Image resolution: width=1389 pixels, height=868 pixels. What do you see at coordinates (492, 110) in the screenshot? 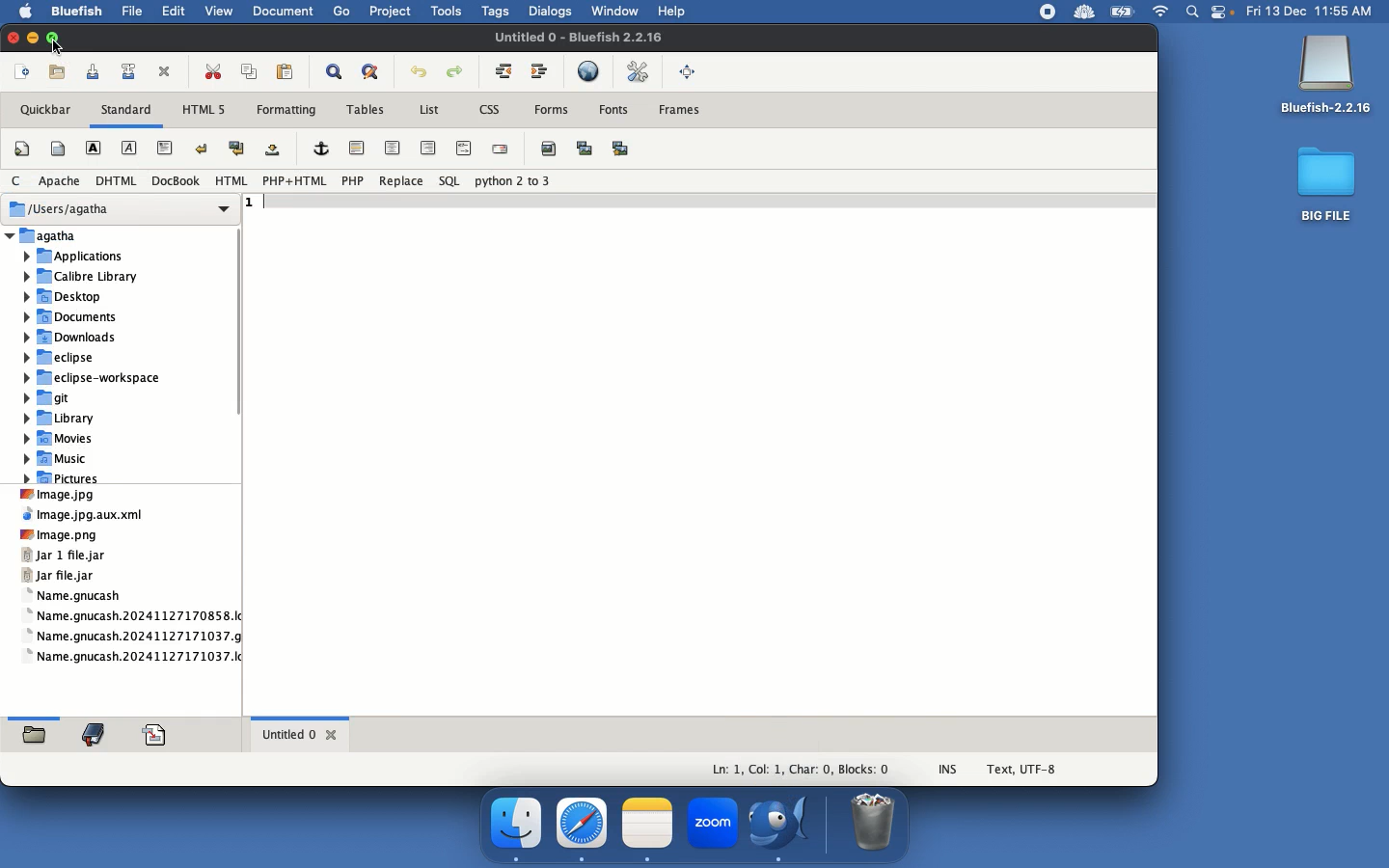
I see `CSS` at bounding box center [492, 110].